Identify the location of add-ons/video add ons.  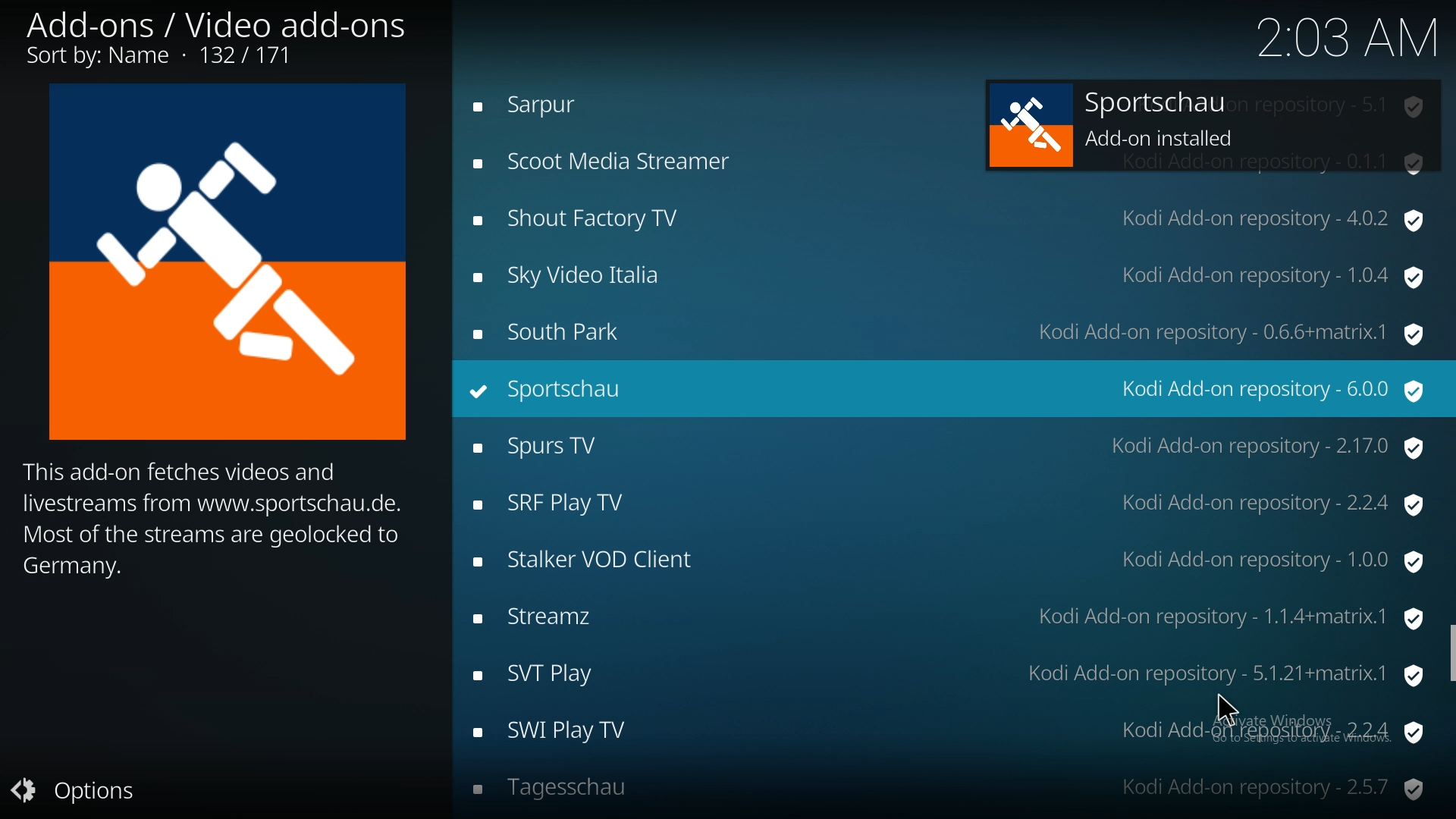
(219, 39).